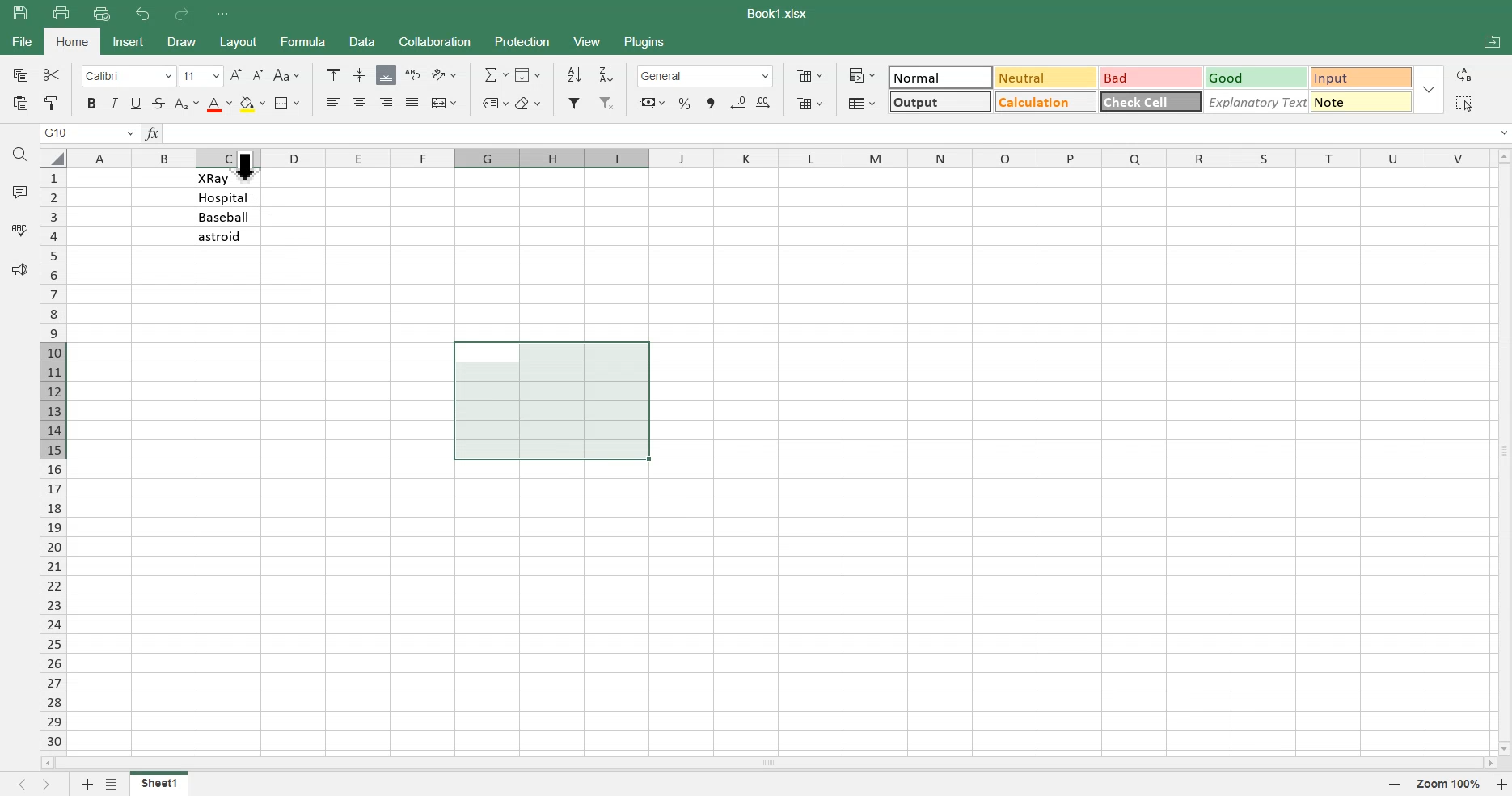 This screenshot has height=796, width=1512. I want to click on Cell Name, so click(89, 133).